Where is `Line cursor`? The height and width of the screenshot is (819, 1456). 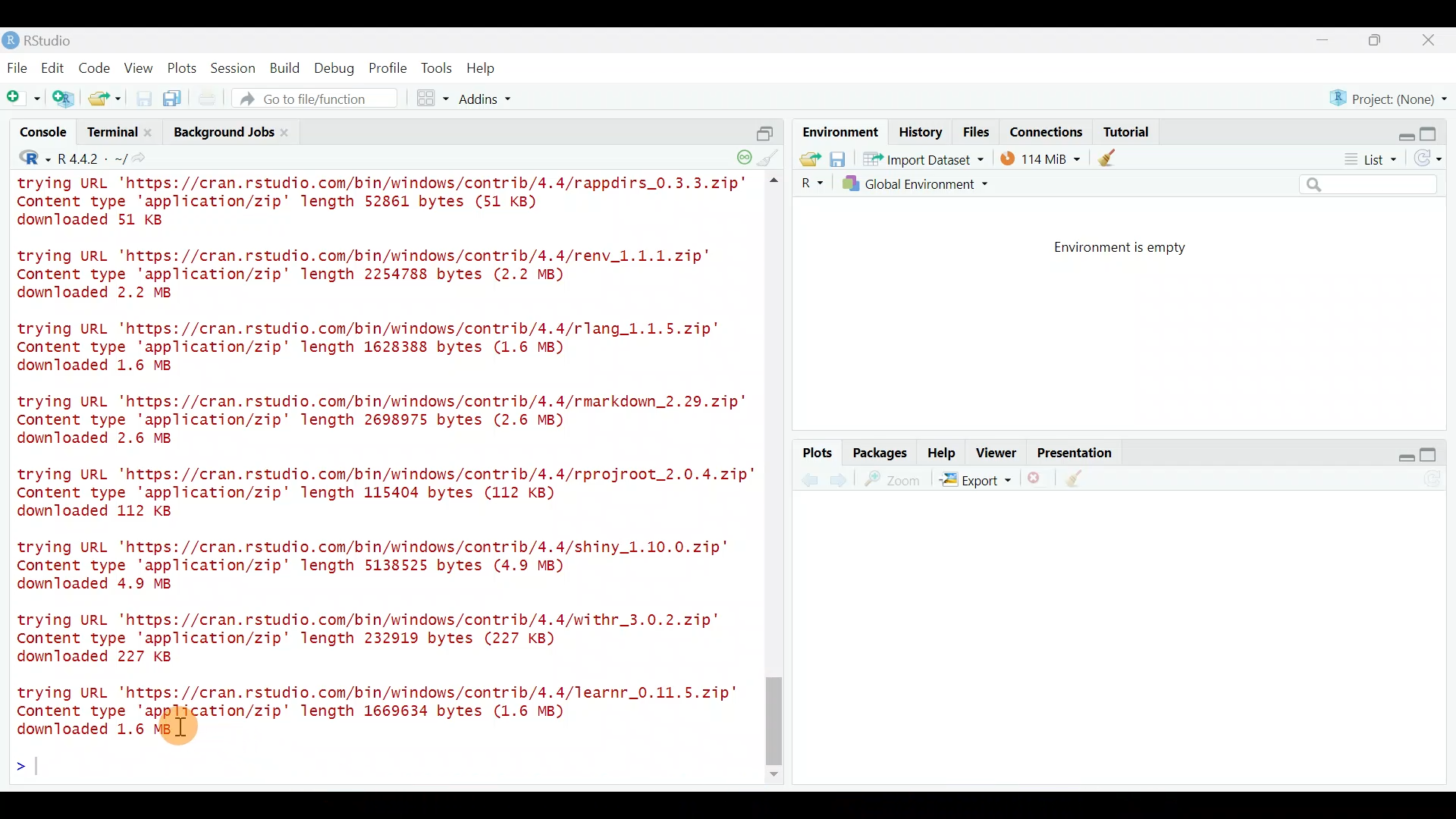
Line cursor is located at coordinates (27, 769).